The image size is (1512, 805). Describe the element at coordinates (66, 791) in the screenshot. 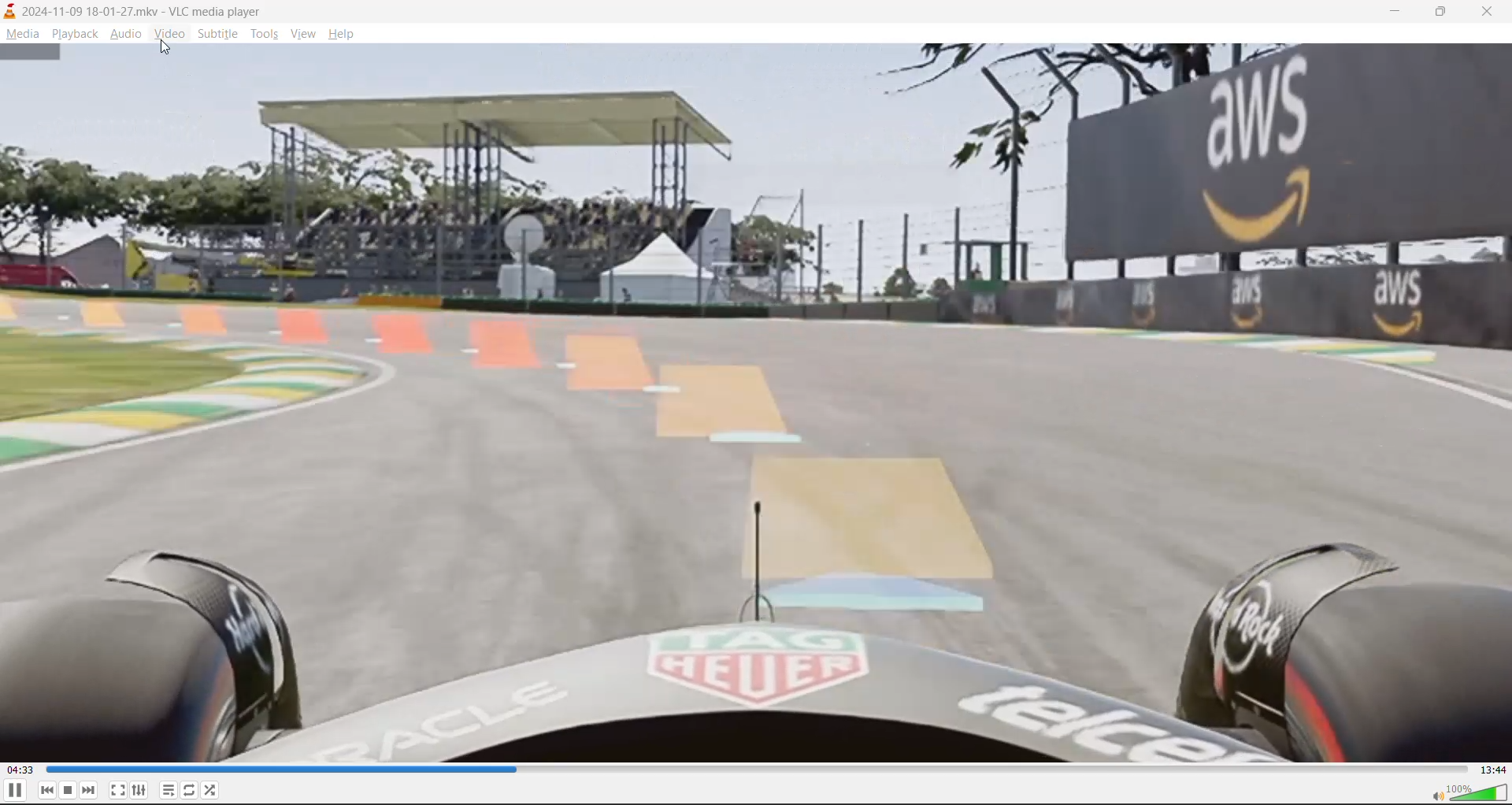

I see `stop` at that location.